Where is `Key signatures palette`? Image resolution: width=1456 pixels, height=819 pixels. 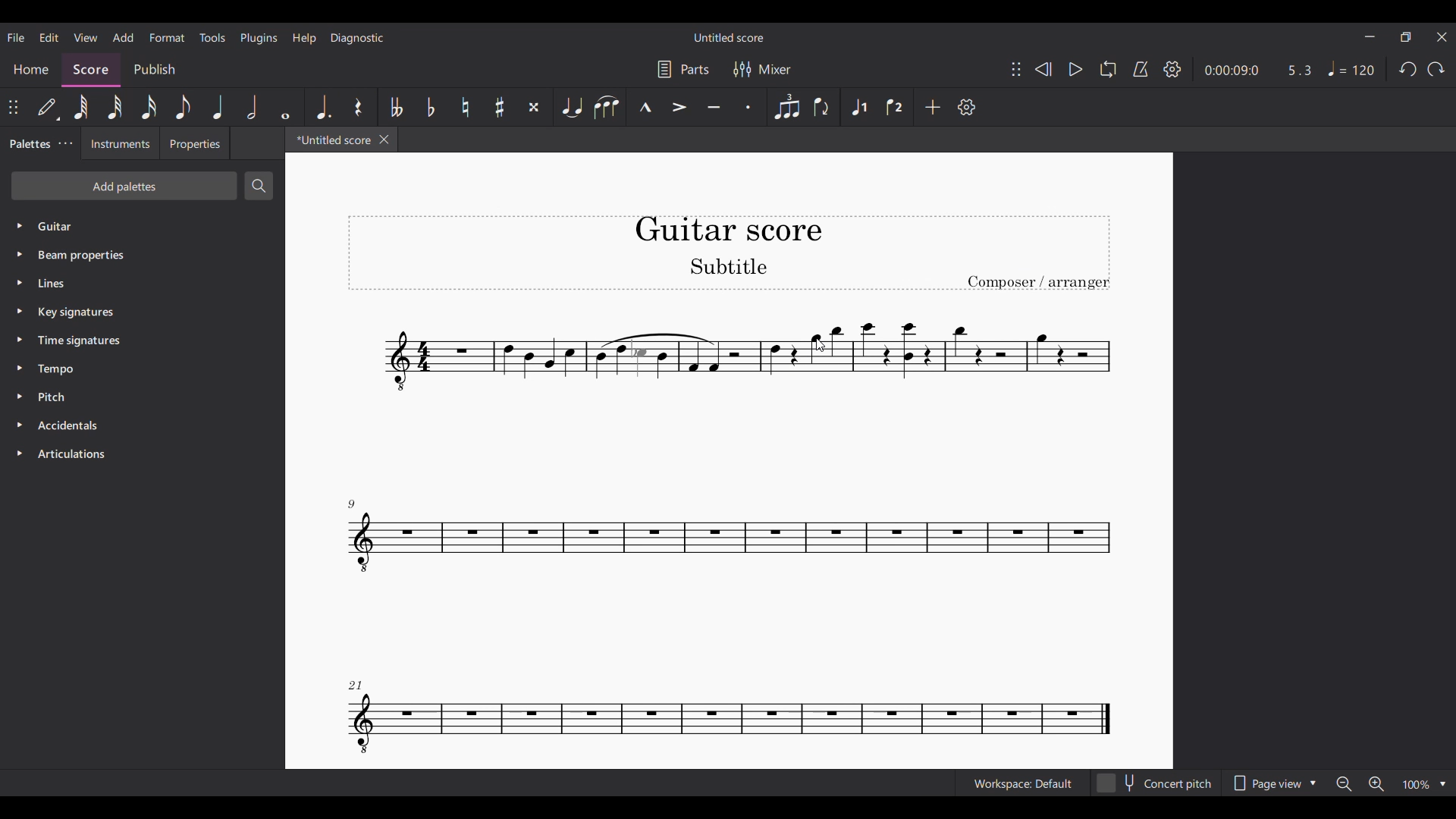
Key signatures palette is located at coordinates (77, 312).